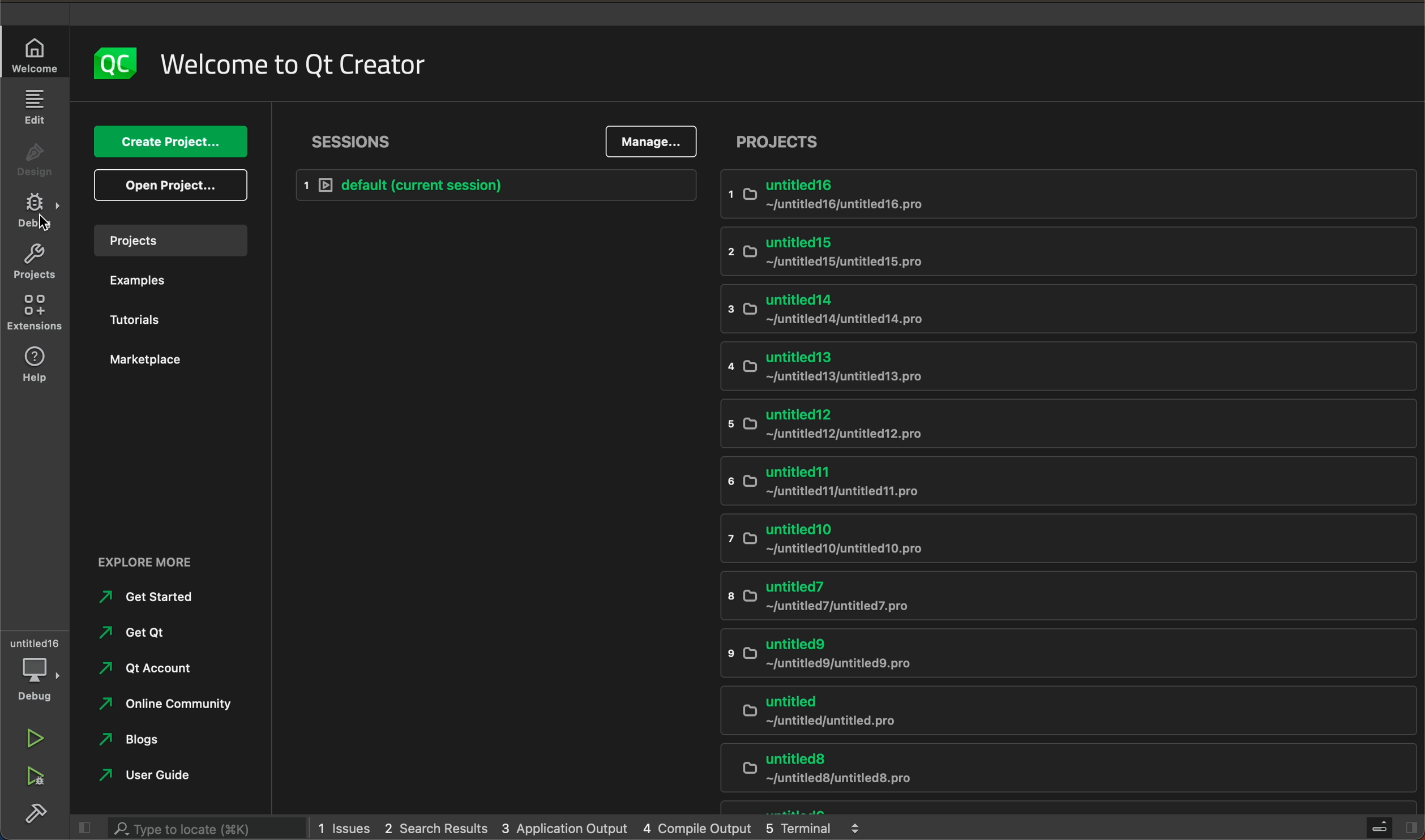 The width and height of the screenshot is (1425, 840). What do you see at coordinates (165, 636) in the screenshot?
I see `get qt` at bounding box center [165, 636].